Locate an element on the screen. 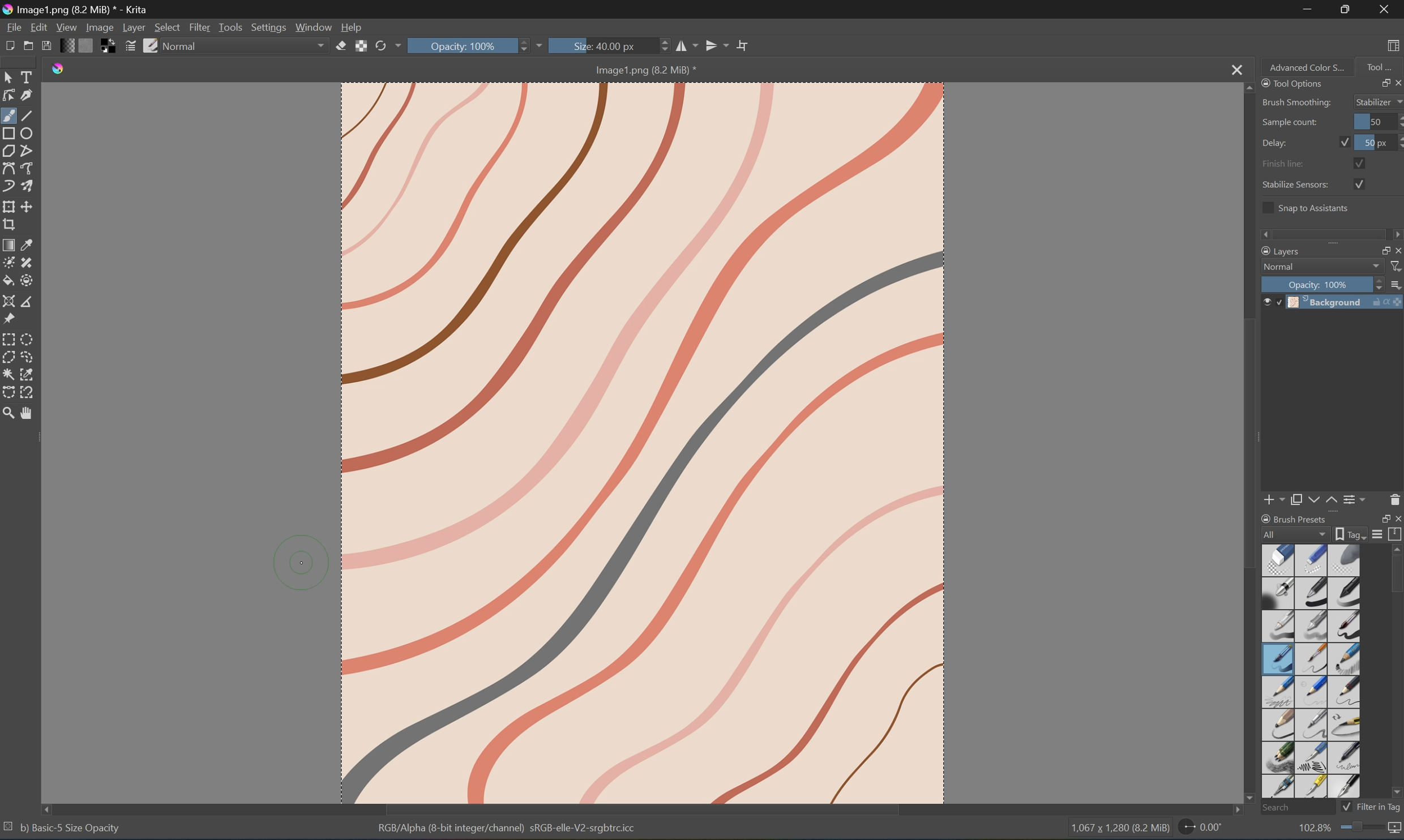 This screenshot has height=840, width=1404. Filter is located at coordinates (1396, 267).